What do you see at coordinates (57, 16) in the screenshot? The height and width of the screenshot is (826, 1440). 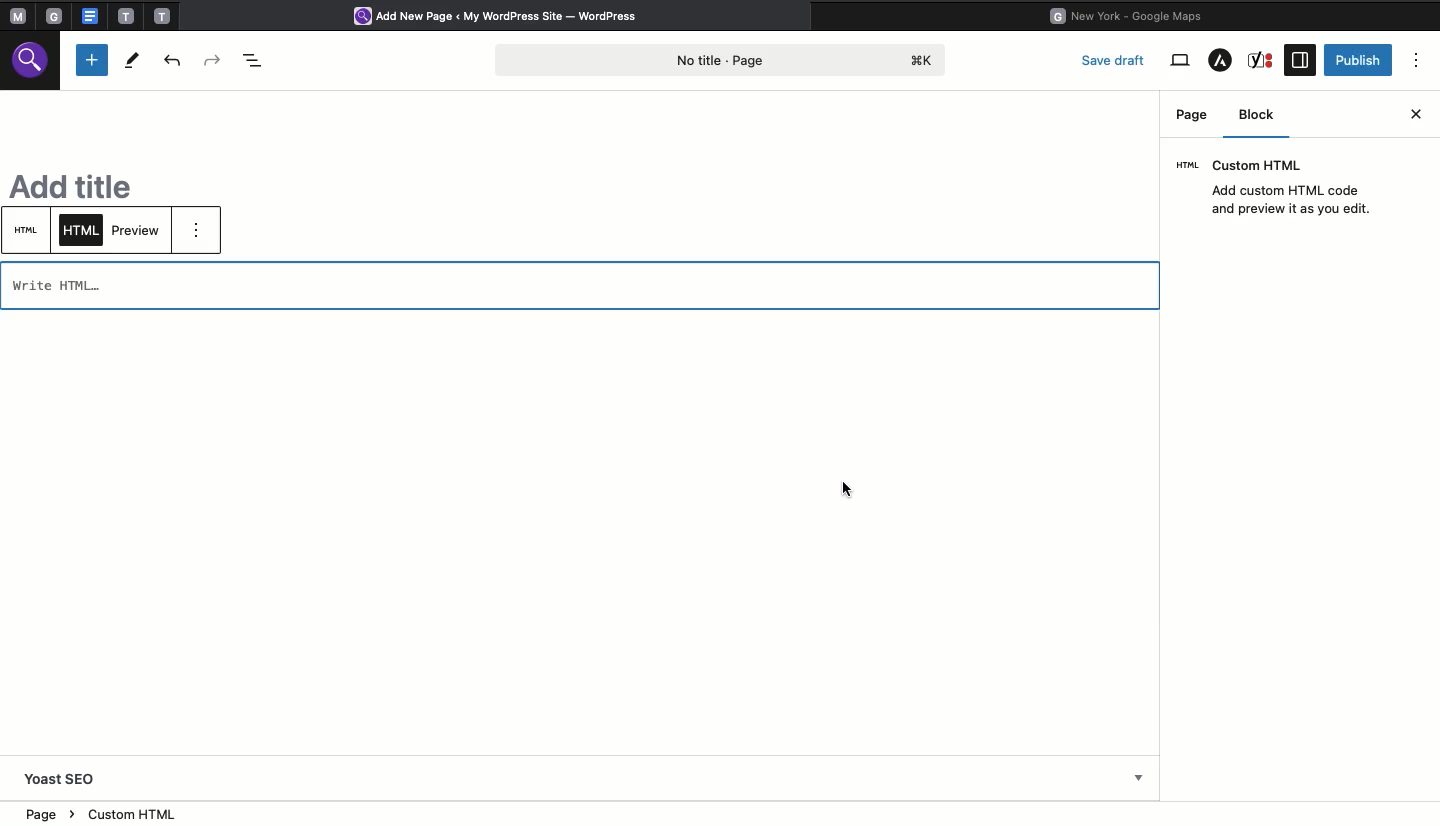 I see `tab` at bounding box center [57, 16].